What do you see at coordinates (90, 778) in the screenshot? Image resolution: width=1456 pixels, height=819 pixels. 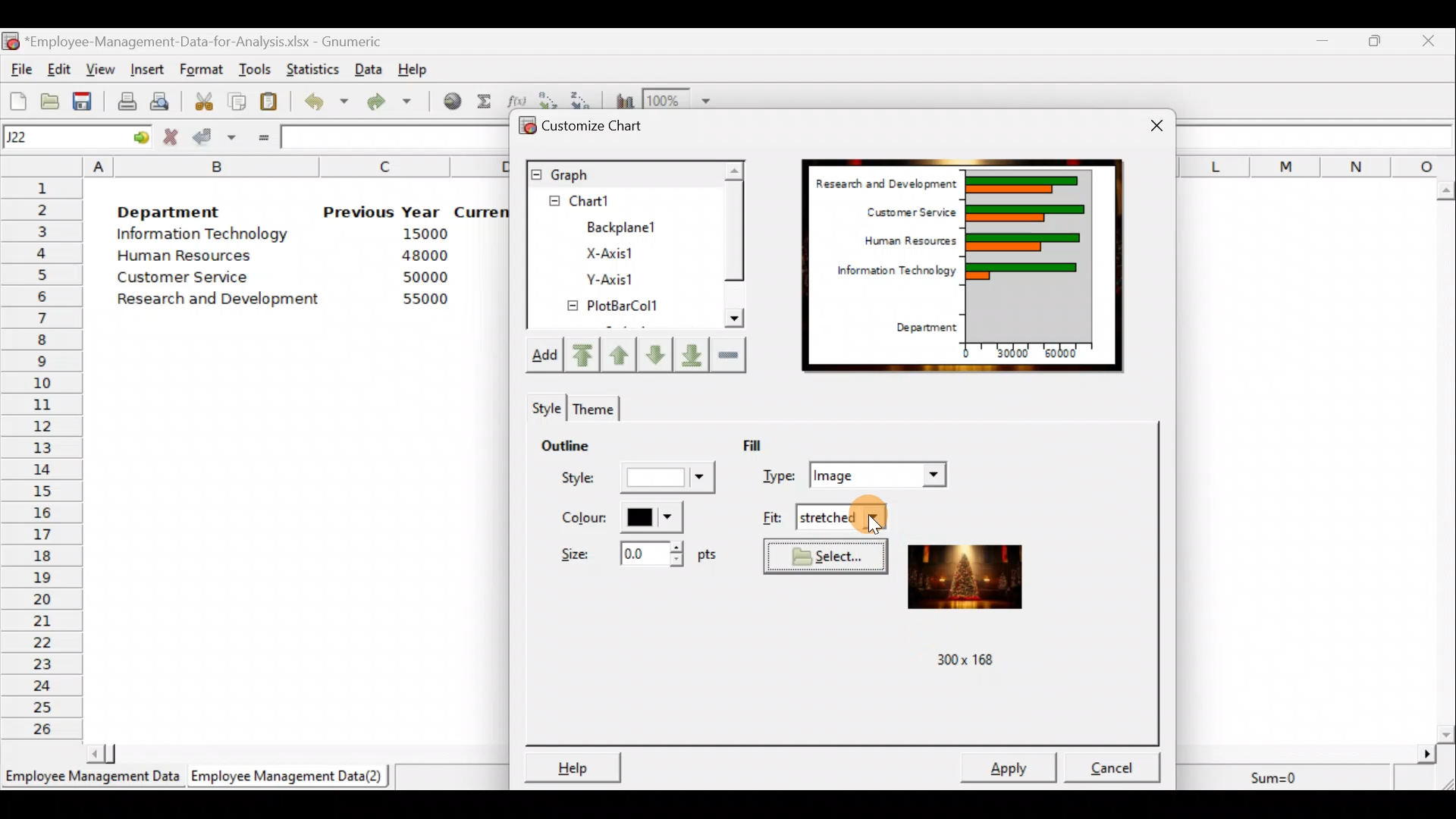 I see `Employee Management Data` at bounding box center [90, 778].